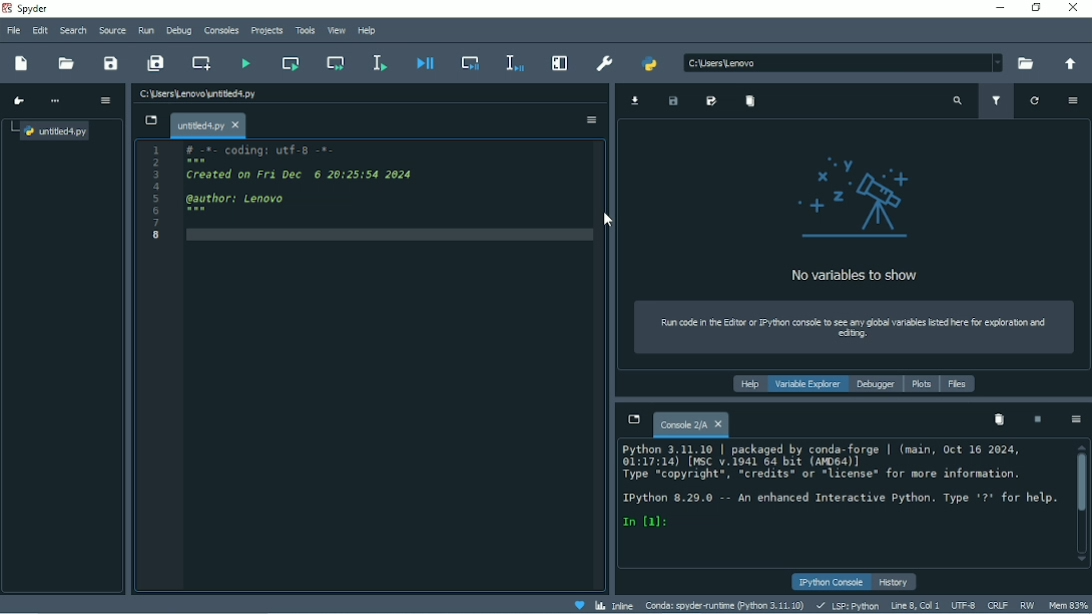 The height and width of the screenshot is (614, 1092). Describe the element at coordinates (998, 419) in the screenshot. I see `Remove all variables from namespace` at that location.